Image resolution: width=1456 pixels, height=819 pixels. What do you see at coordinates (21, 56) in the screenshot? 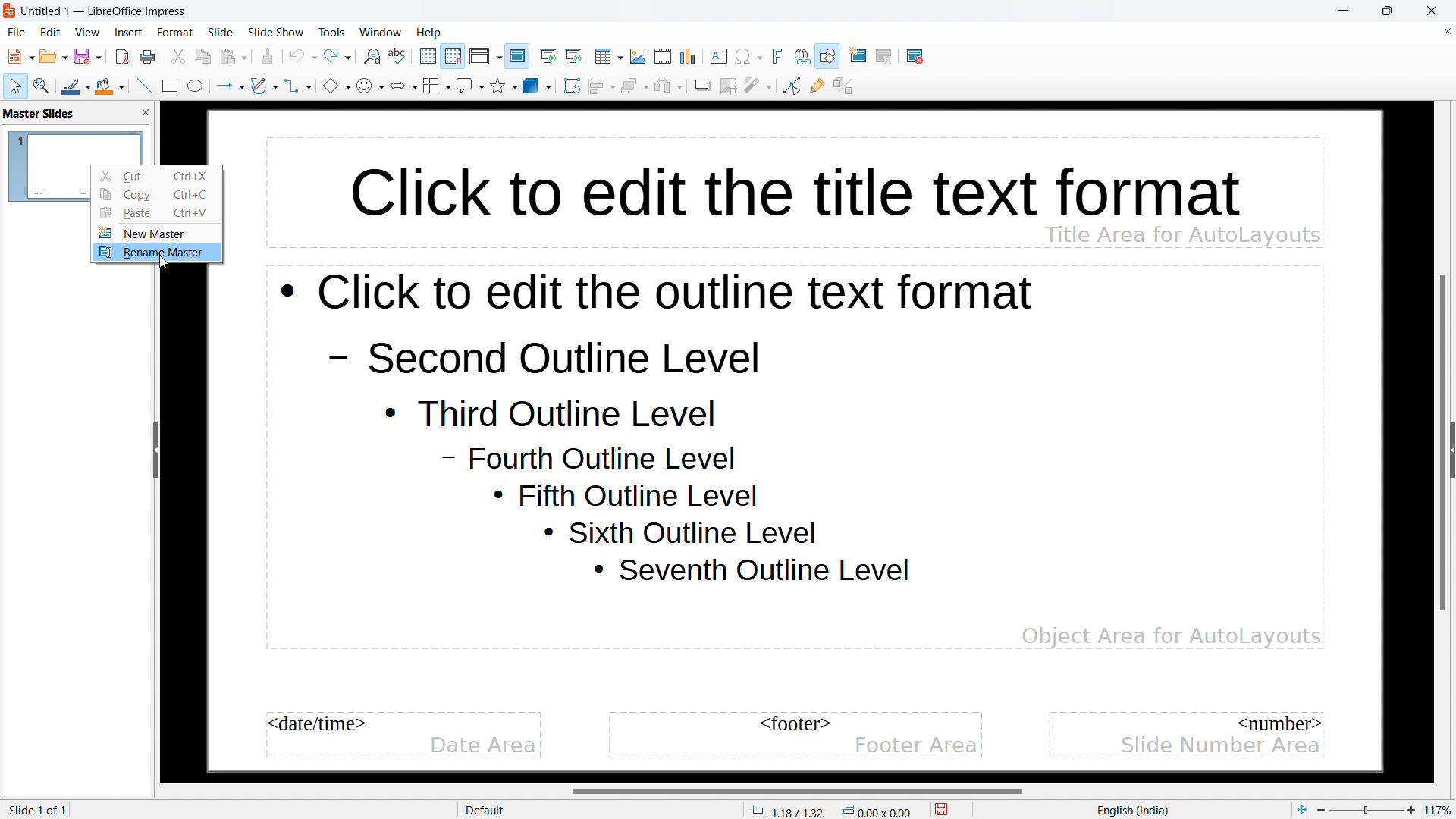
I see `new` at bounding box center [21, 56].